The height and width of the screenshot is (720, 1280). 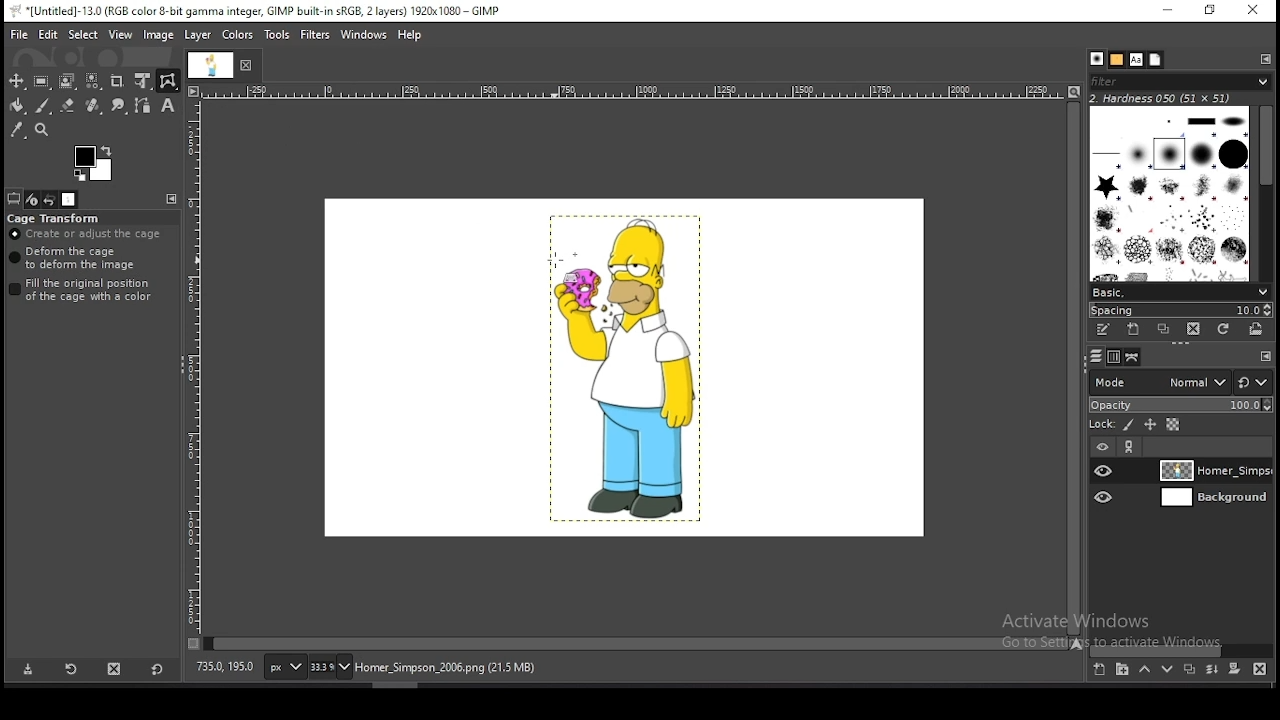 What do you see at coordinates (329, 667) in the screenshot?
I see `zoom status` at bounding box center [329, 667].